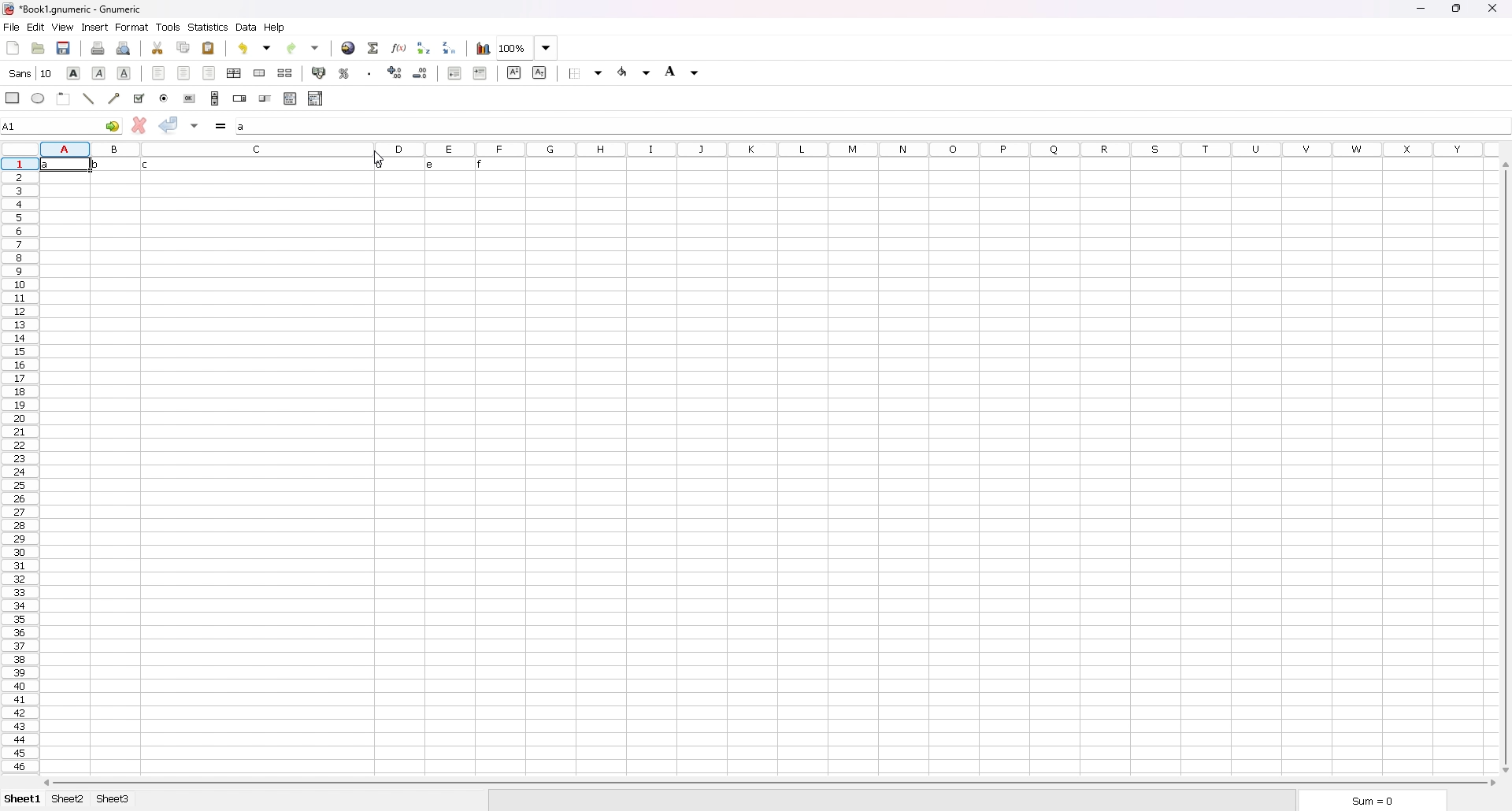 The image size is (1512, 811). What do you see at coordinates (482, 48) in the screenshot?
I see `chart` at bounding box center [482, 48].